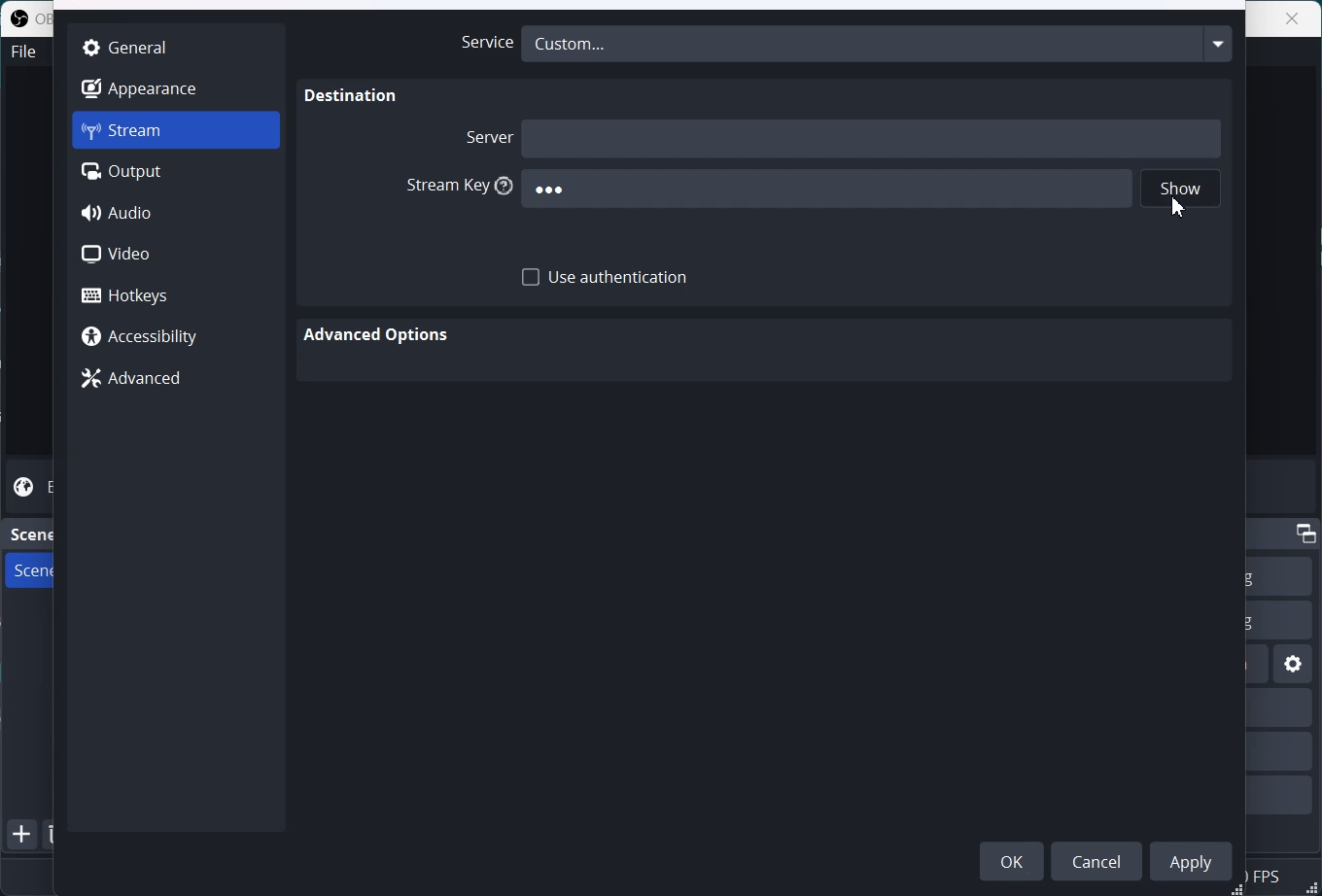 This screenshot has width=1322, height=896. Describe the element at coordinates (175, 379) in the screenshot. I see `Advanced` at that location.